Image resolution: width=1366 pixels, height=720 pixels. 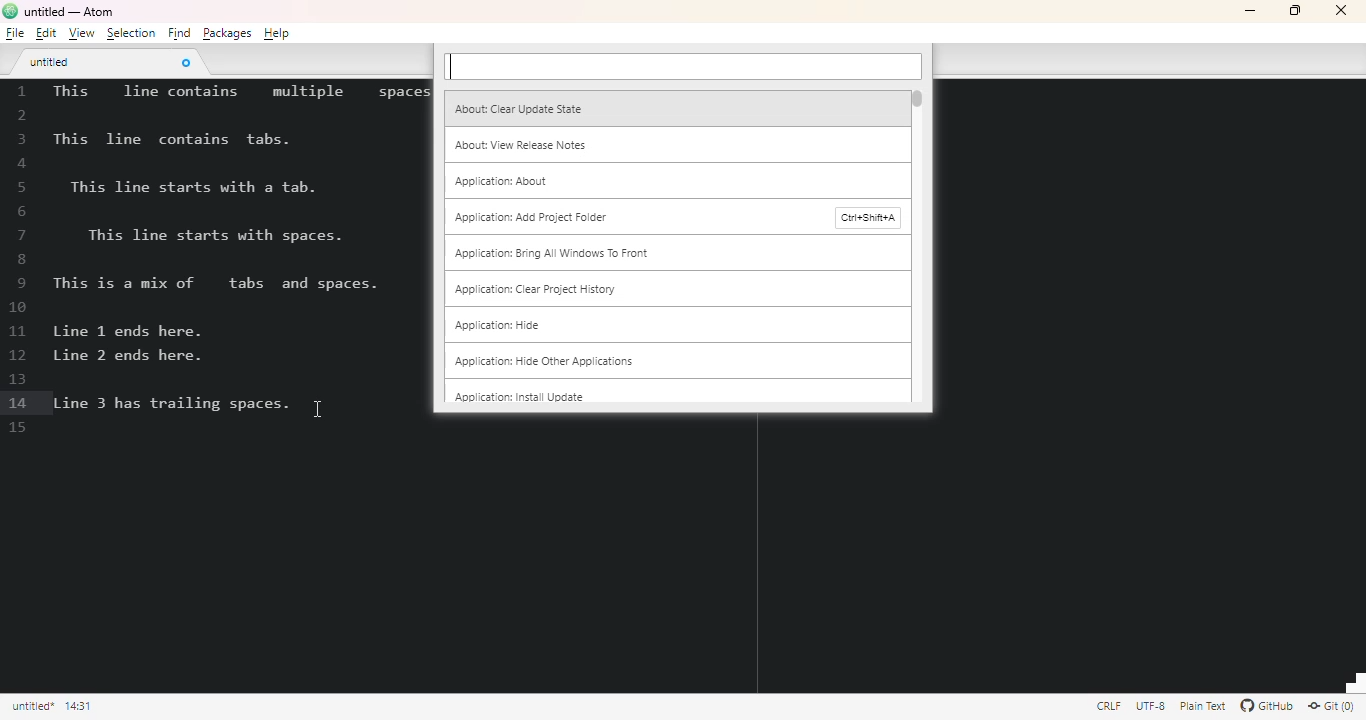 What do you see at coordinates (1340, 10) in the screenshot?
I see `close` at bounding box center [1340, 10].